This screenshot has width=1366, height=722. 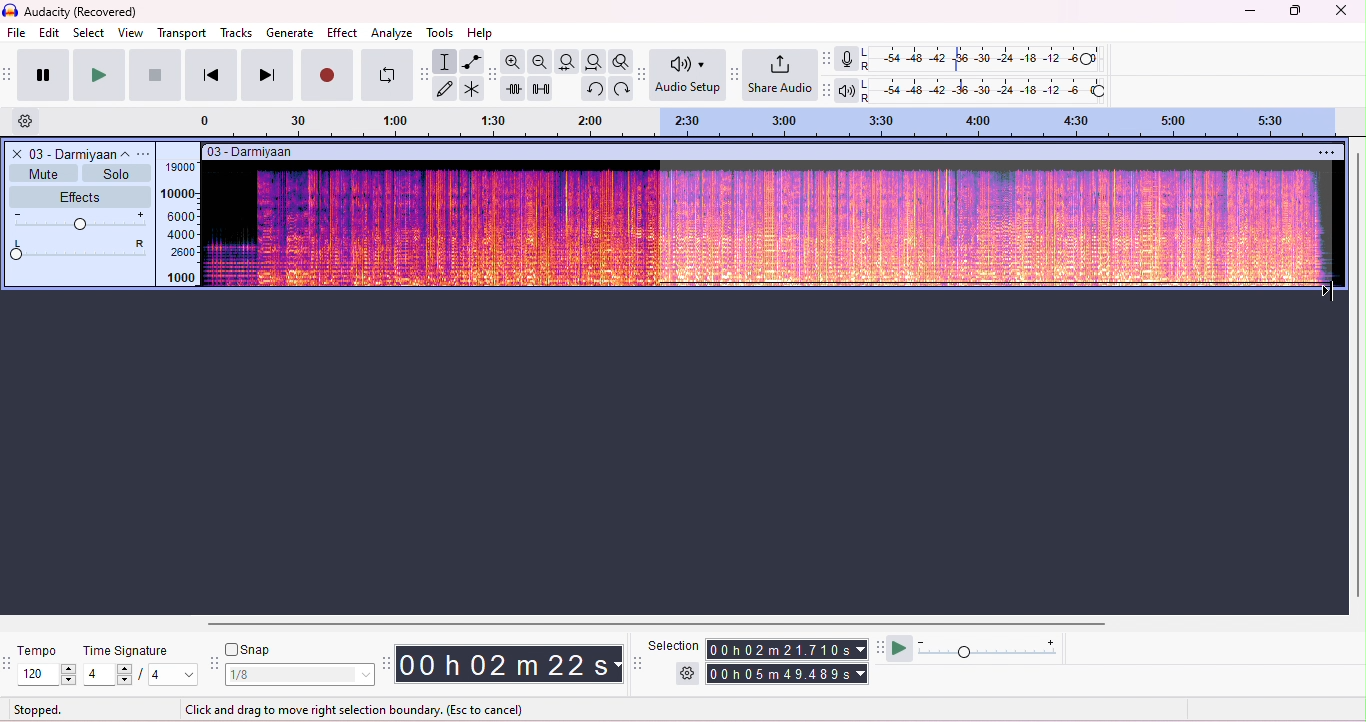 I want to click on effects, so click(x=79, y=197).